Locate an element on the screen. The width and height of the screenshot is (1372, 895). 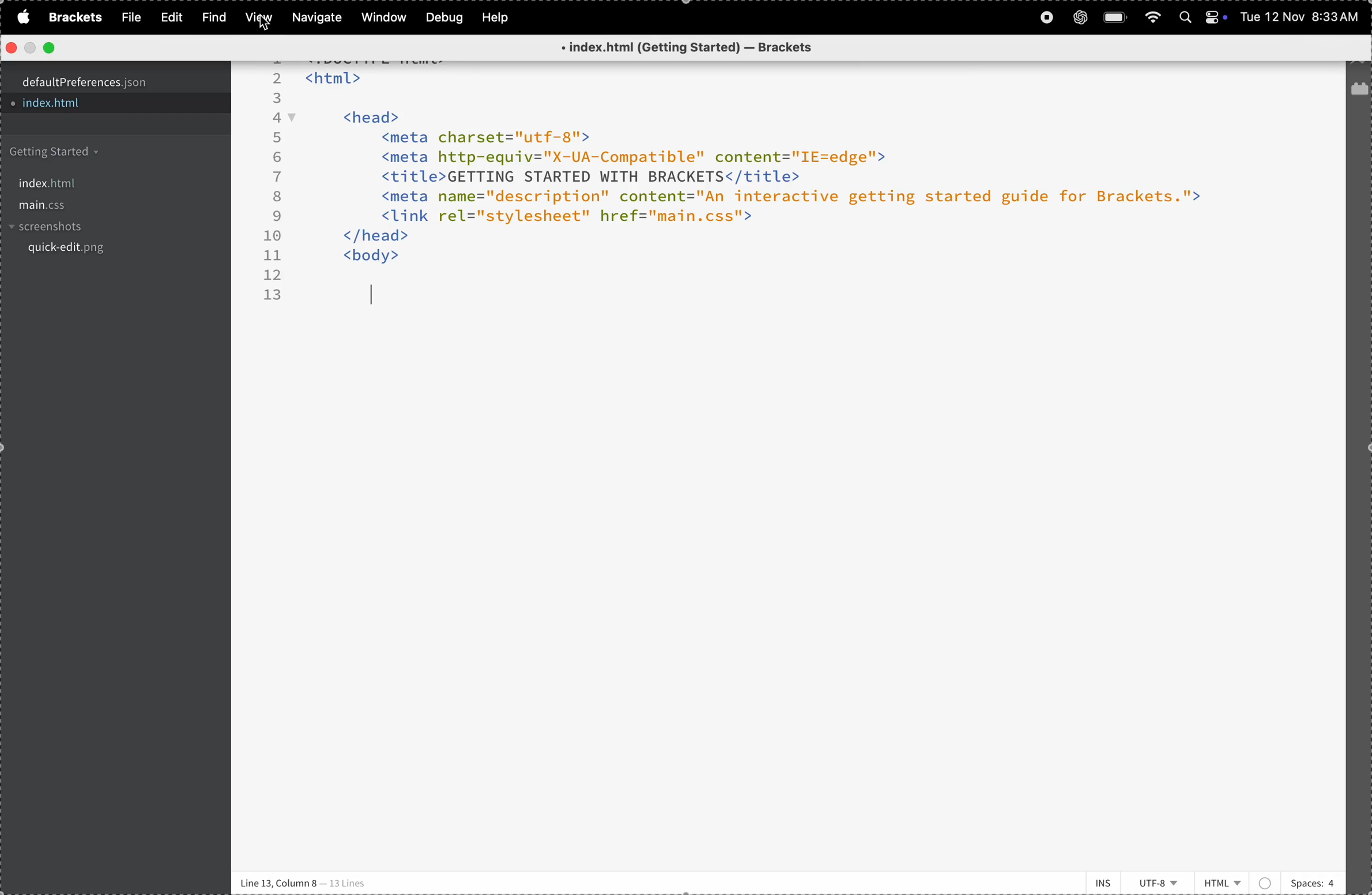
apple widgets is located at coordinates (1217, 17).